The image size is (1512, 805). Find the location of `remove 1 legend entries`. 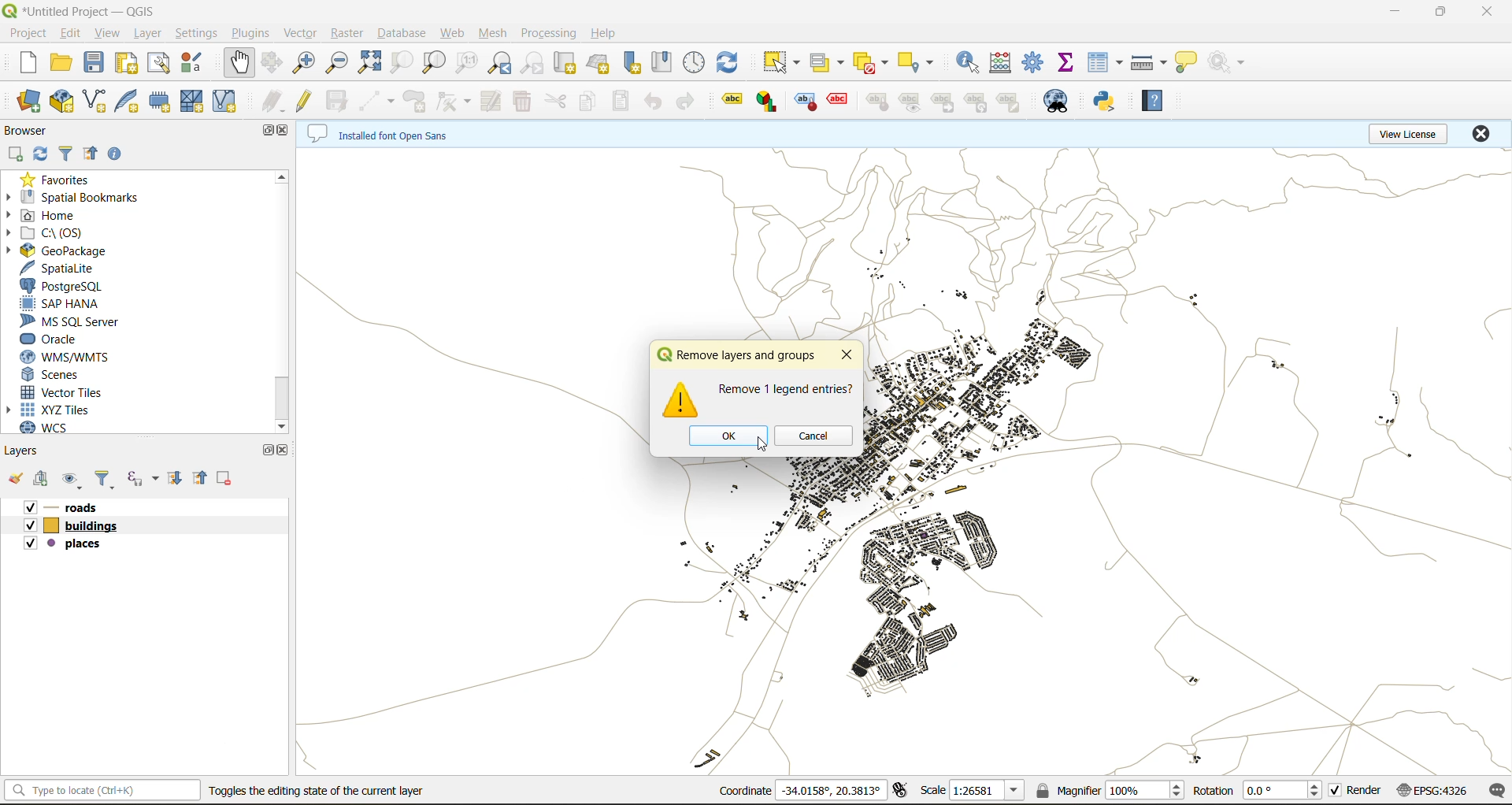

remove 1 legend entries is located at coordinates (785, 388).